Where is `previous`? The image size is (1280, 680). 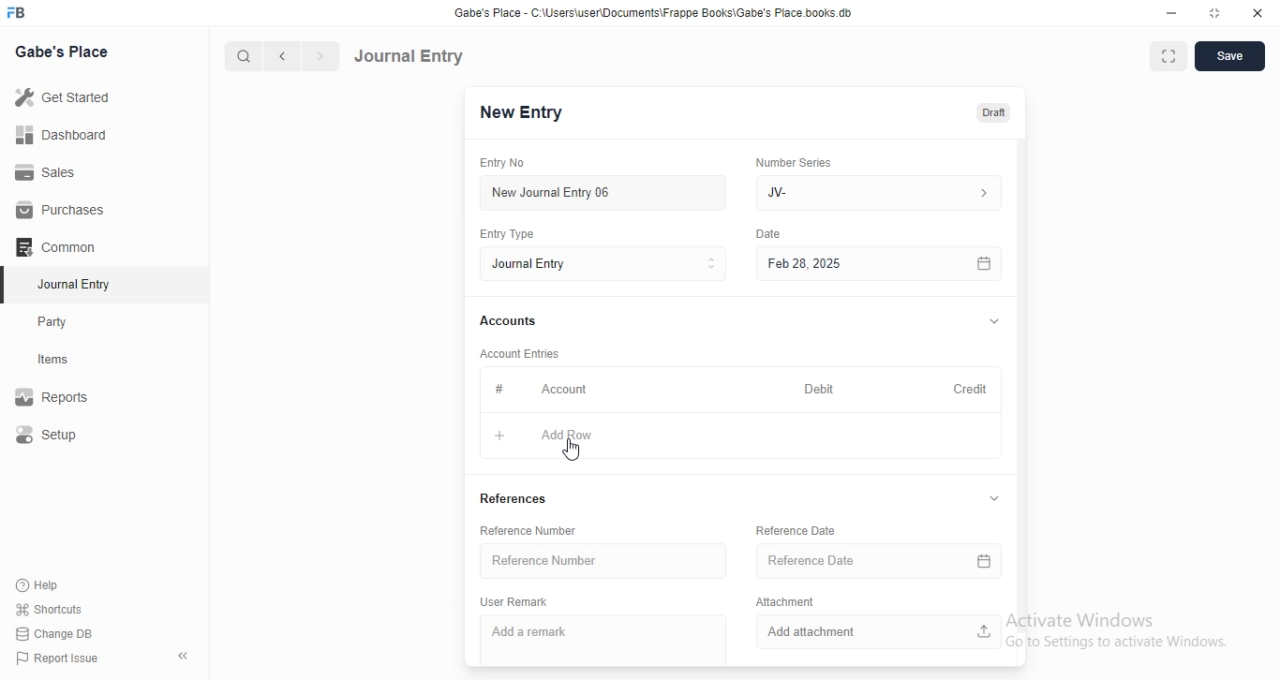
previous is located at coordinates (279, 56).